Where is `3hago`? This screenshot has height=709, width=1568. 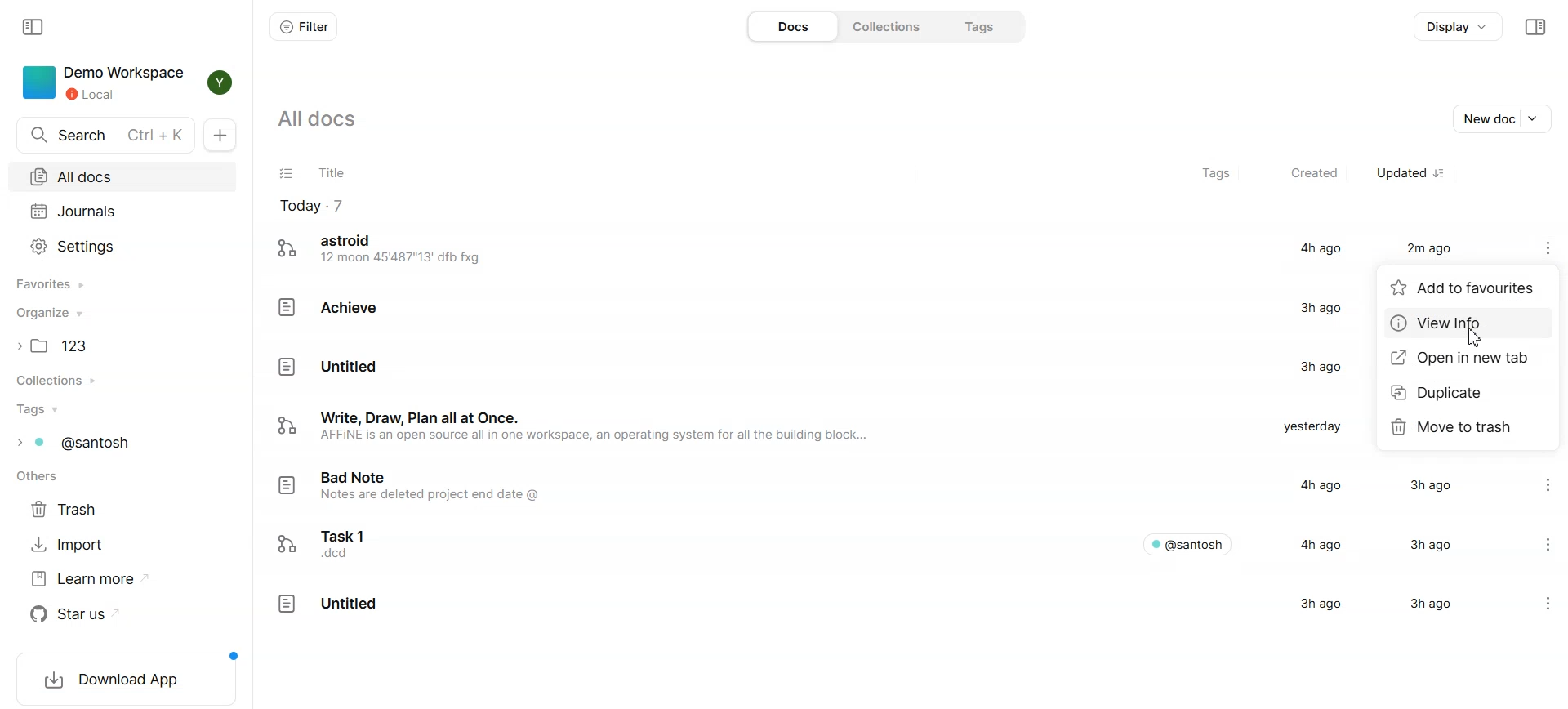 3hago is located at coordinates (1426, 605).